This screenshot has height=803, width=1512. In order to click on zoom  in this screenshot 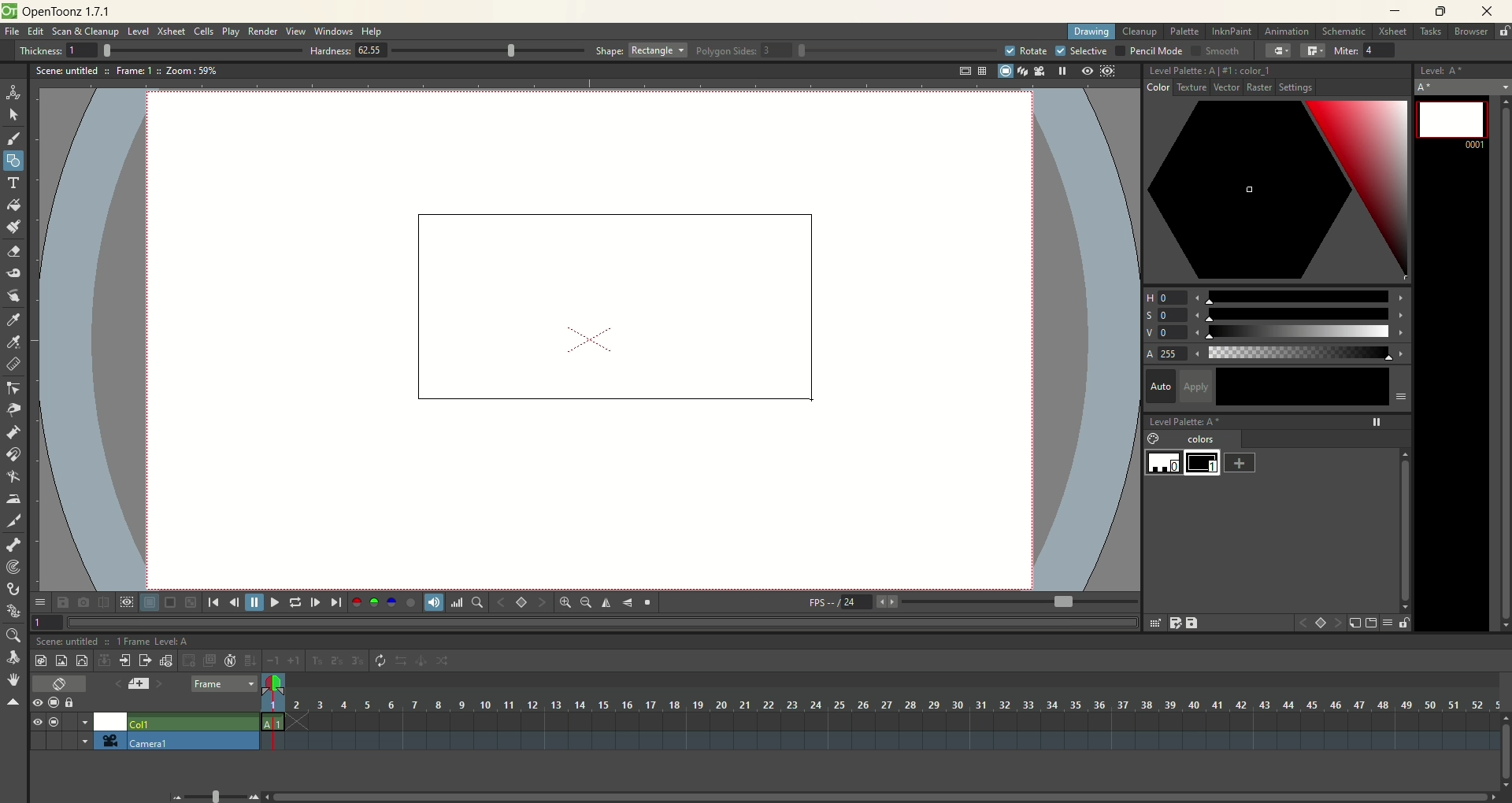, I will do `click(12, 636)`.